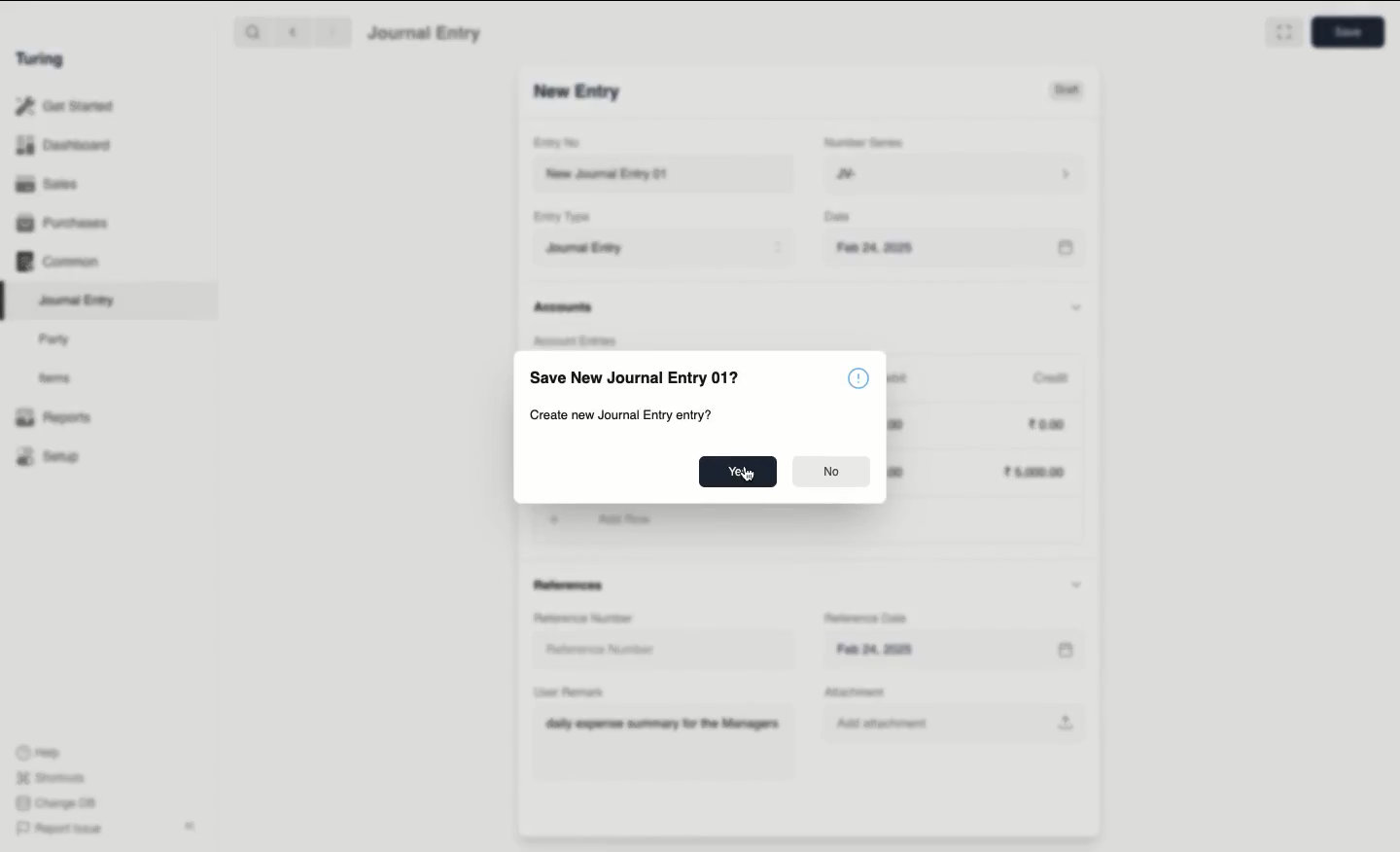  Describe the element at coordinates (751, 476) in the screenshot. I see `cursor` at that location.